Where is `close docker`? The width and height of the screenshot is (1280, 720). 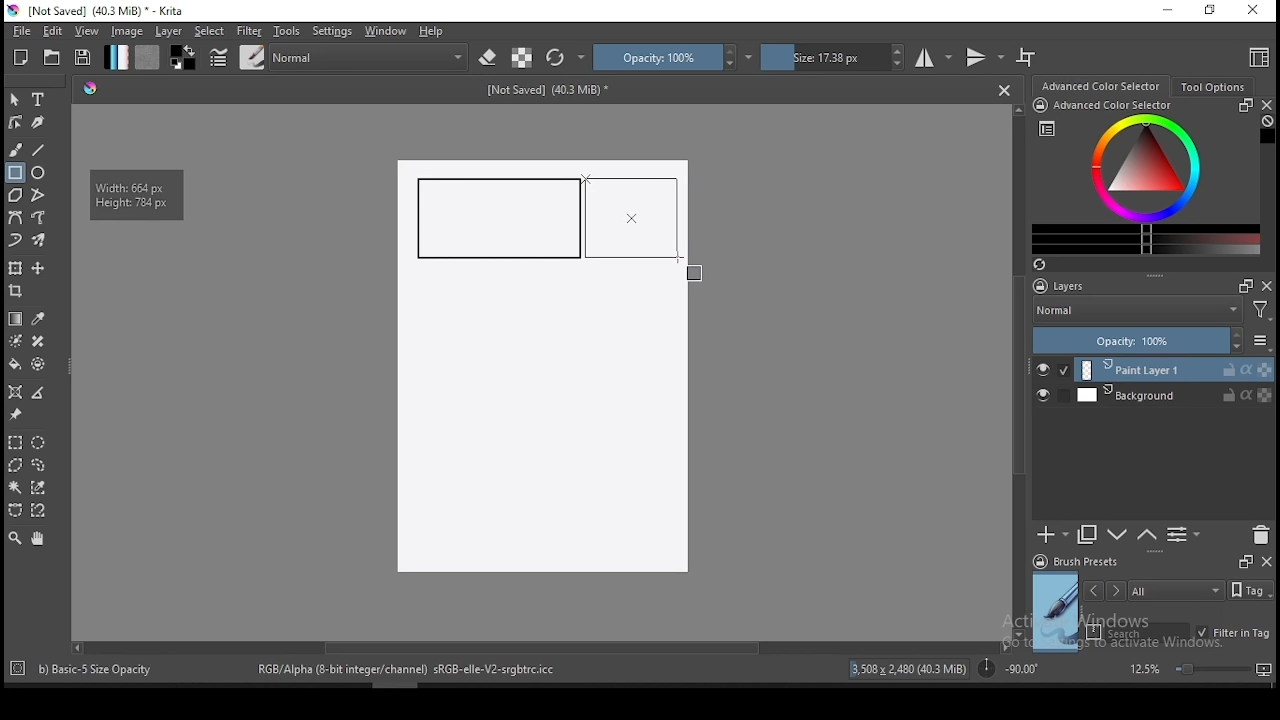 close docker is located at coordinates (1267, 285).